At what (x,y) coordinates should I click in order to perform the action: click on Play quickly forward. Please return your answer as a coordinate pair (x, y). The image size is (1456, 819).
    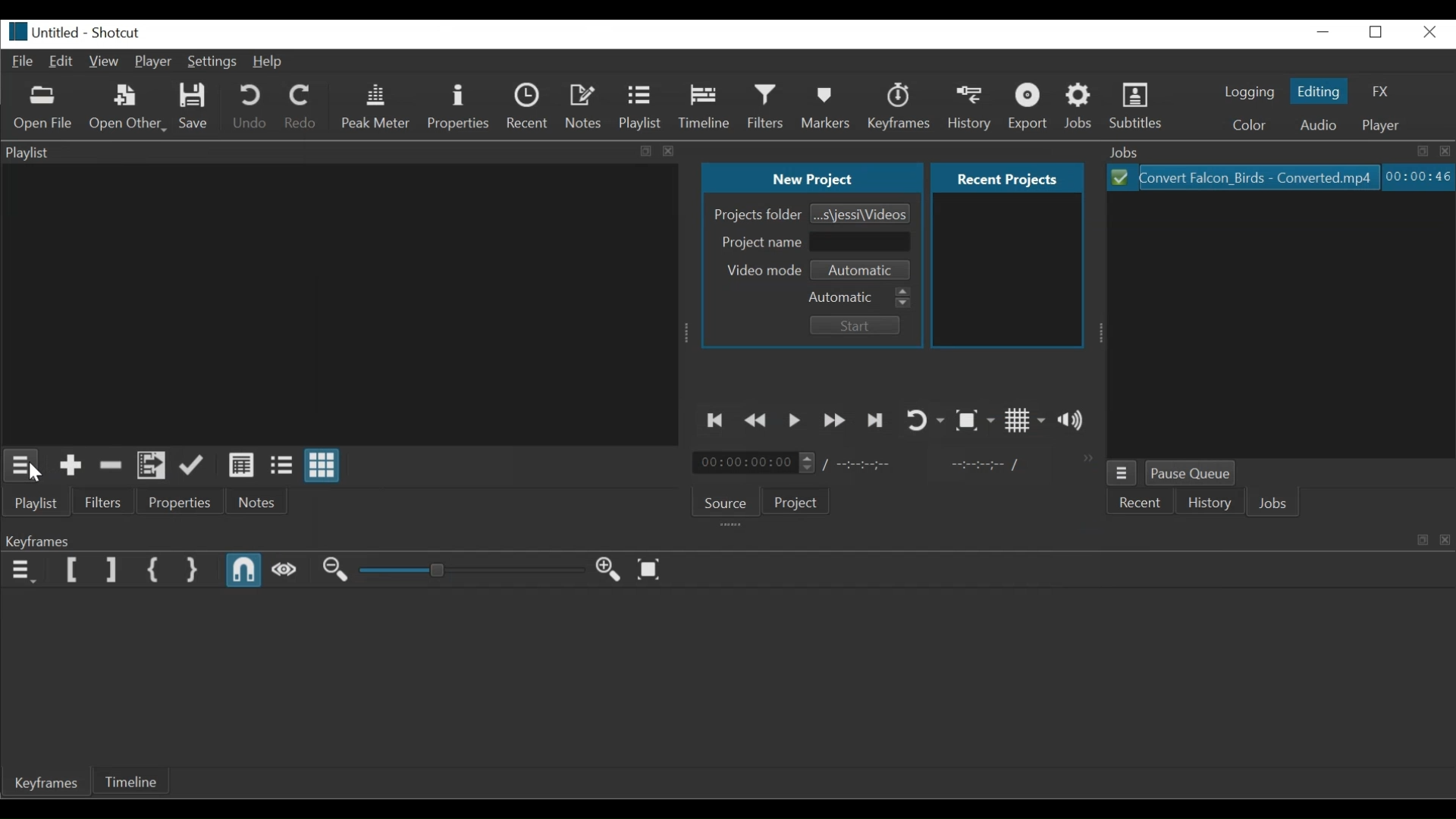
    Looking at the image, I should click on (834, 420).